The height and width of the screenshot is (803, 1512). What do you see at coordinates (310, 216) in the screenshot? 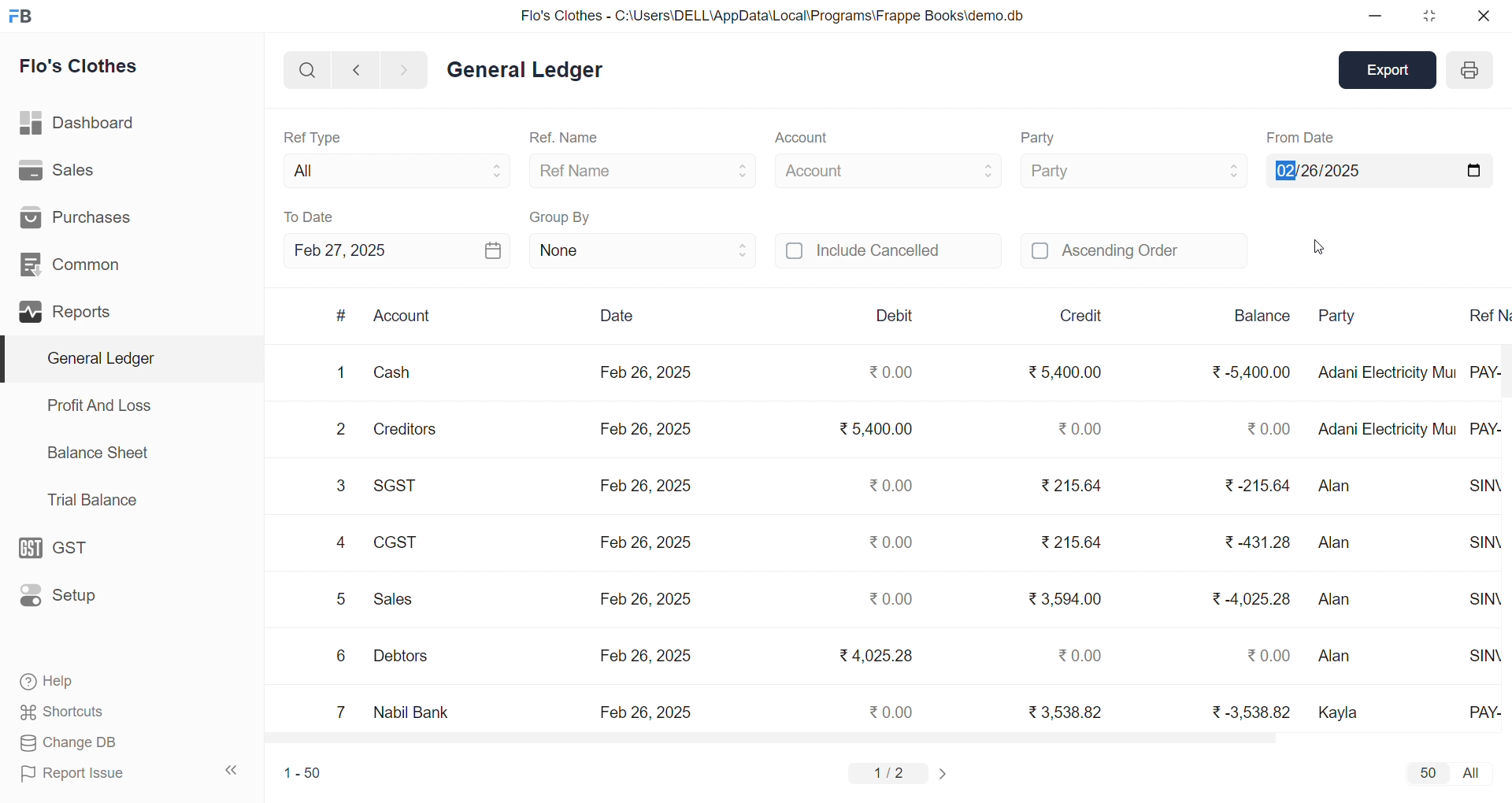
I see `To Date` at bounding box center [310, 216].